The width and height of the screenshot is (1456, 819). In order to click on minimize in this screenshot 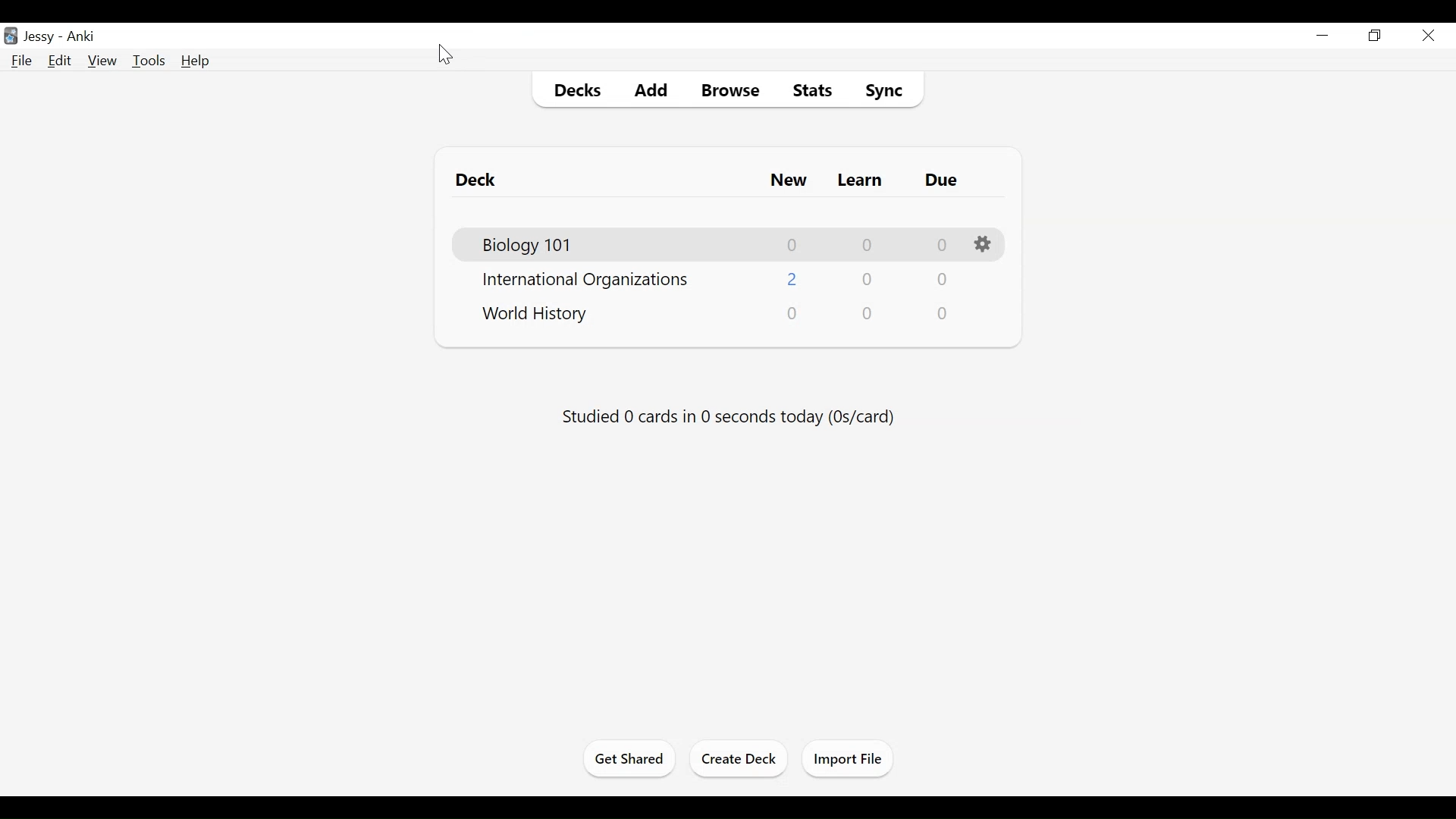, I will do `click(1323, 35)`.